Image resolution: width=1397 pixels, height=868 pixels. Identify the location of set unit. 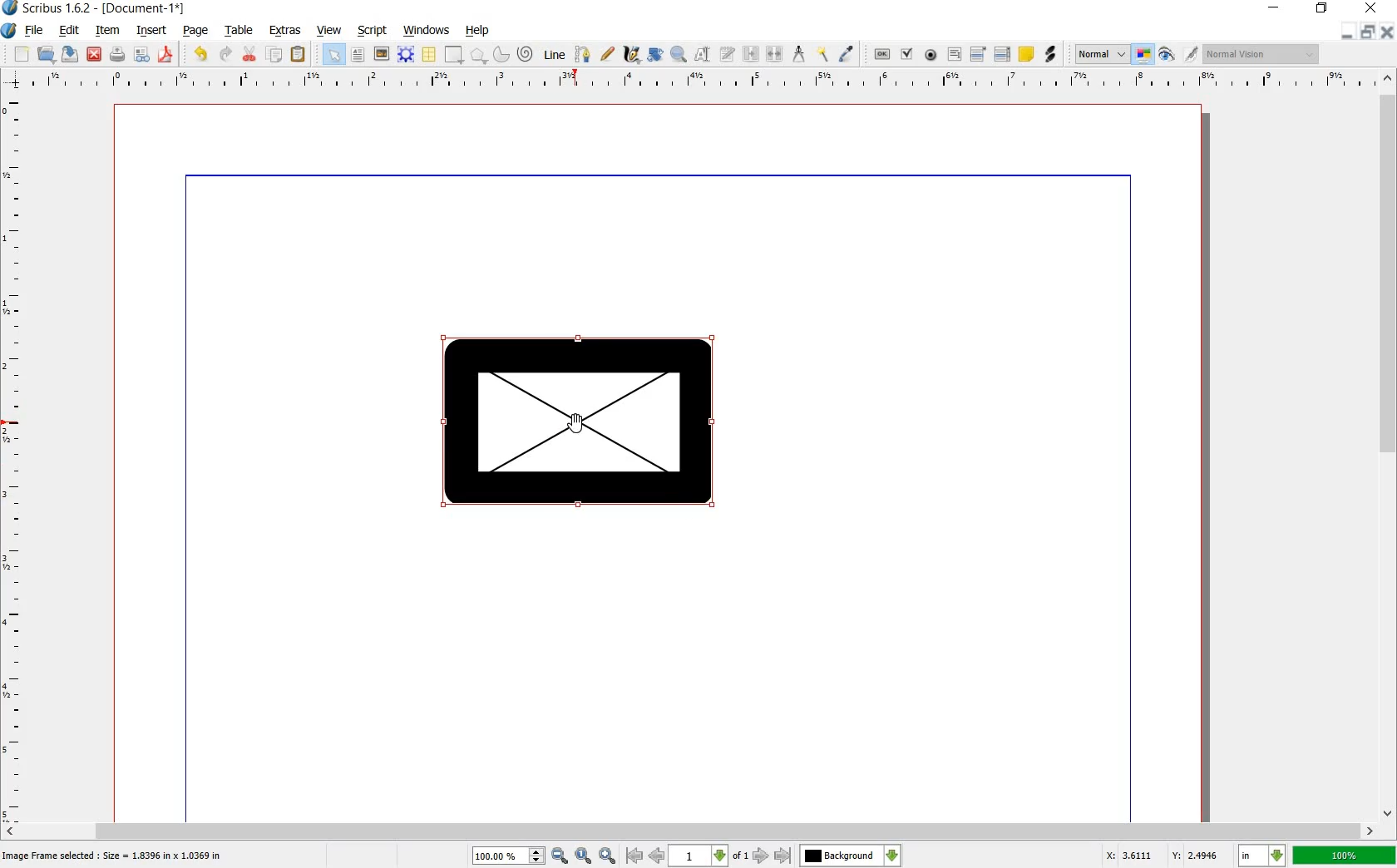
(1261, 856).